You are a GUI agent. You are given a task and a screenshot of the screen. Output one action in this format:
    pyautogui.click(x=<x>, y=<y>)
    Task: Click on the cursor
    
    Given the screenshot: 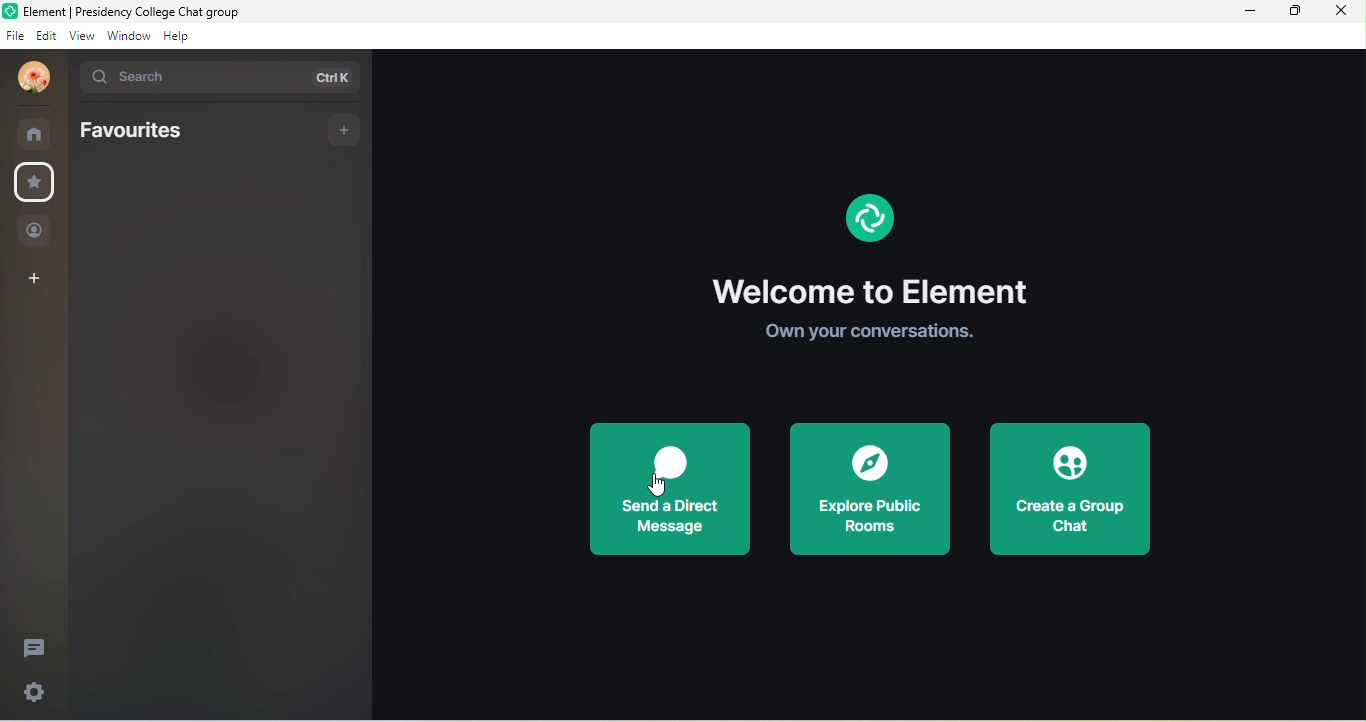 What is the action you would take?
    pyautogui.click(x=663, y=485)
    